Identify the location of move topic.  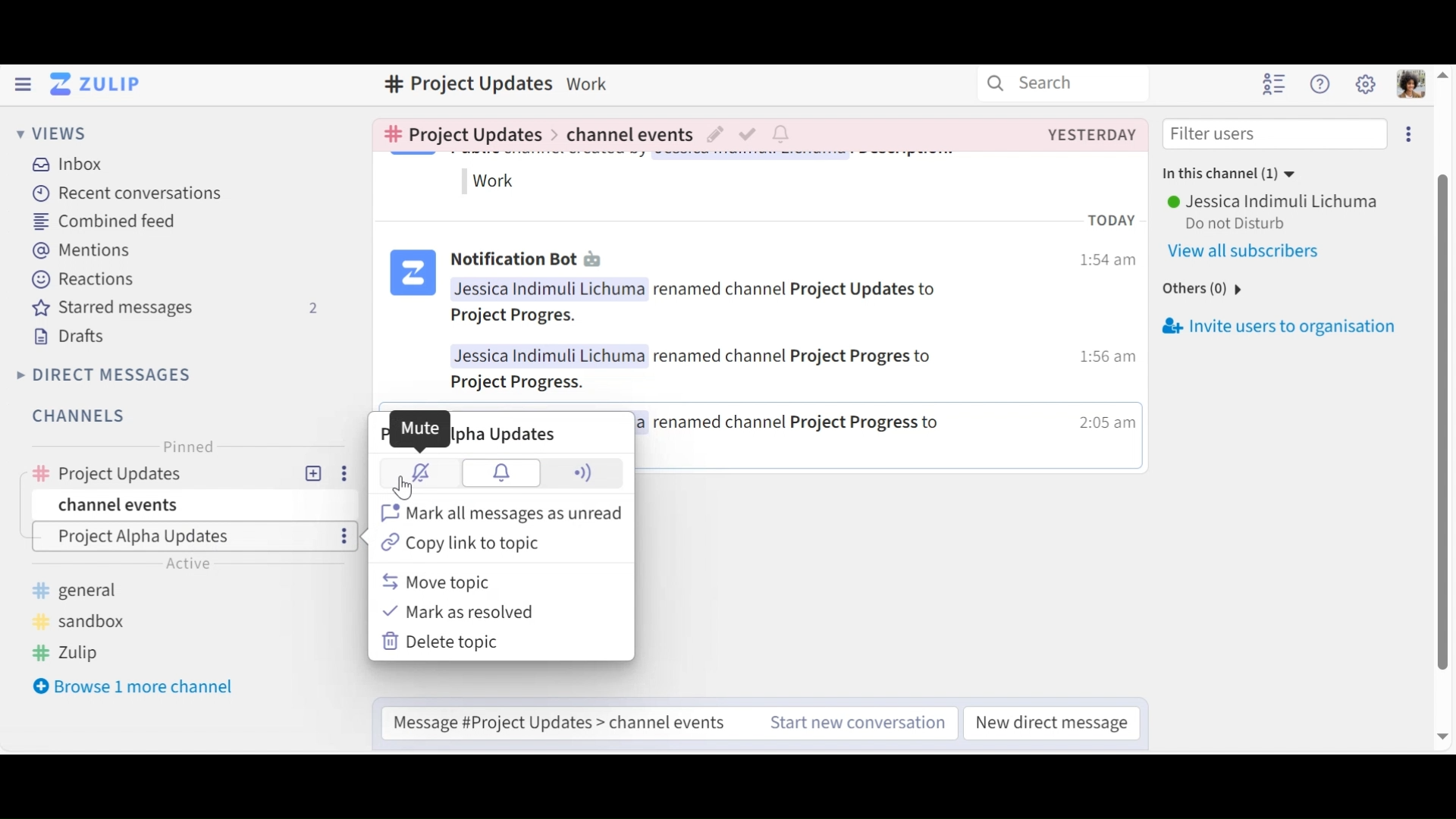
(438, 582).